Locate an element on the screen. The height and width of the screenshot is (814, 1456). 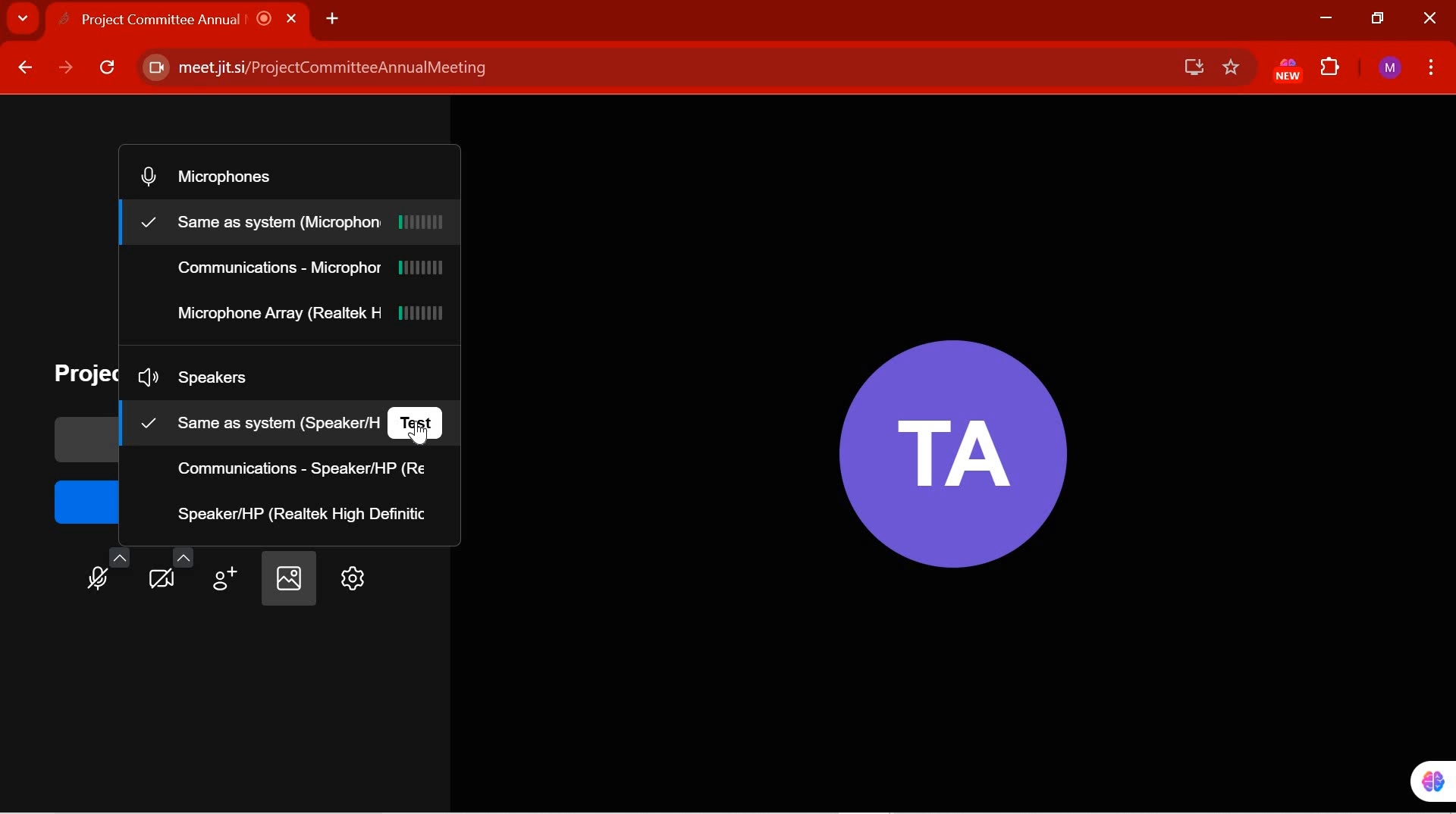
test is located at coordinates (413, 424).